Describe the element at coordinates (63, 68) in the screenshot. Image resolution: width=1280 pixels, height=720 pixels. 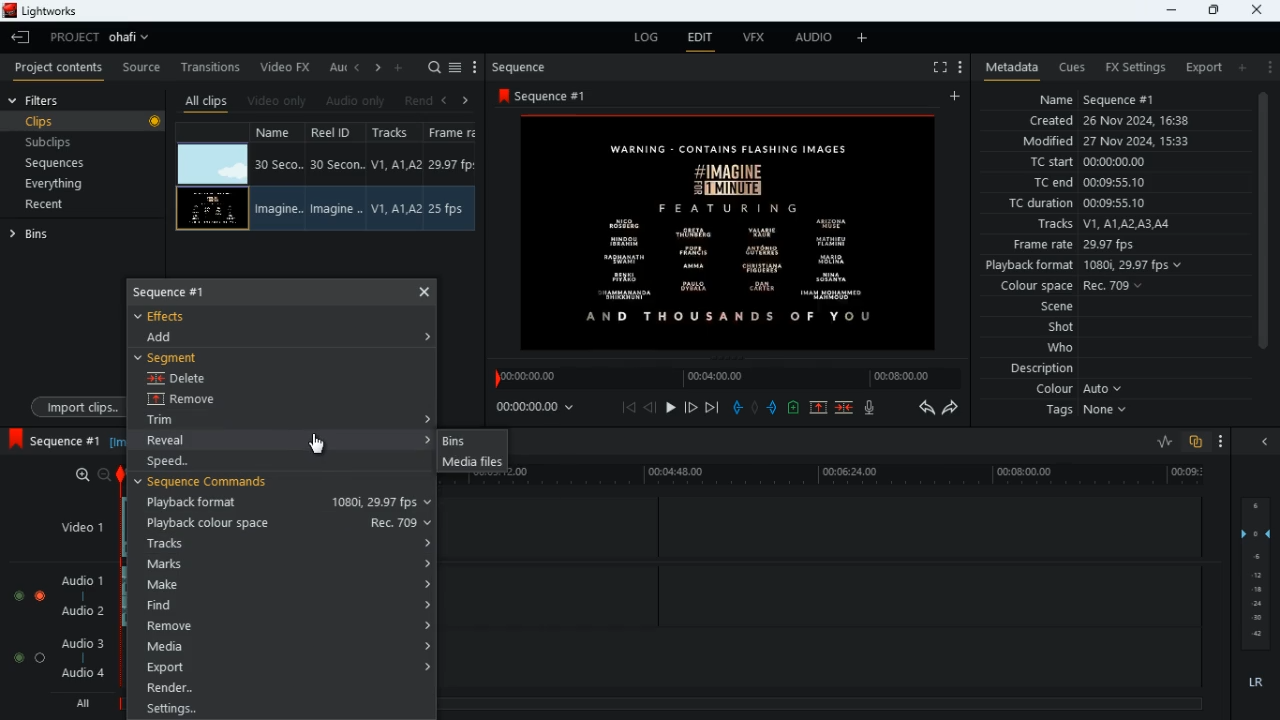
I see `project contents` at that location.